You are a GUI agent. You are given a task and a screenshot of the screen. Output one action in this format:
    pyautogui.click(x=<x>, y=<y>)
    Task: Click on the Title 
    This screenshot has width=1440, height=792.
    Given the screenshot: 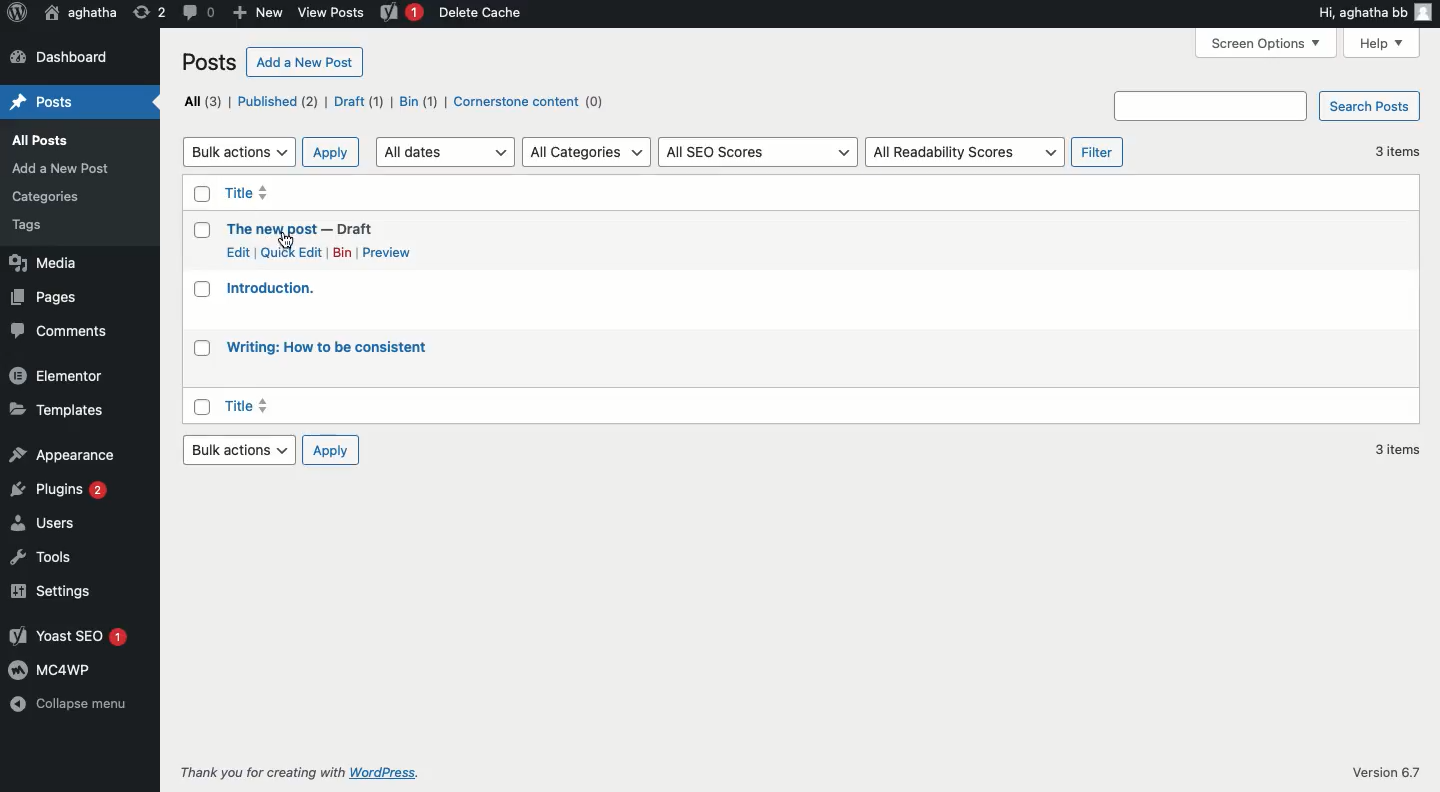 What is the action you would take?
    pyautogui.click(x=247, y=192)
    